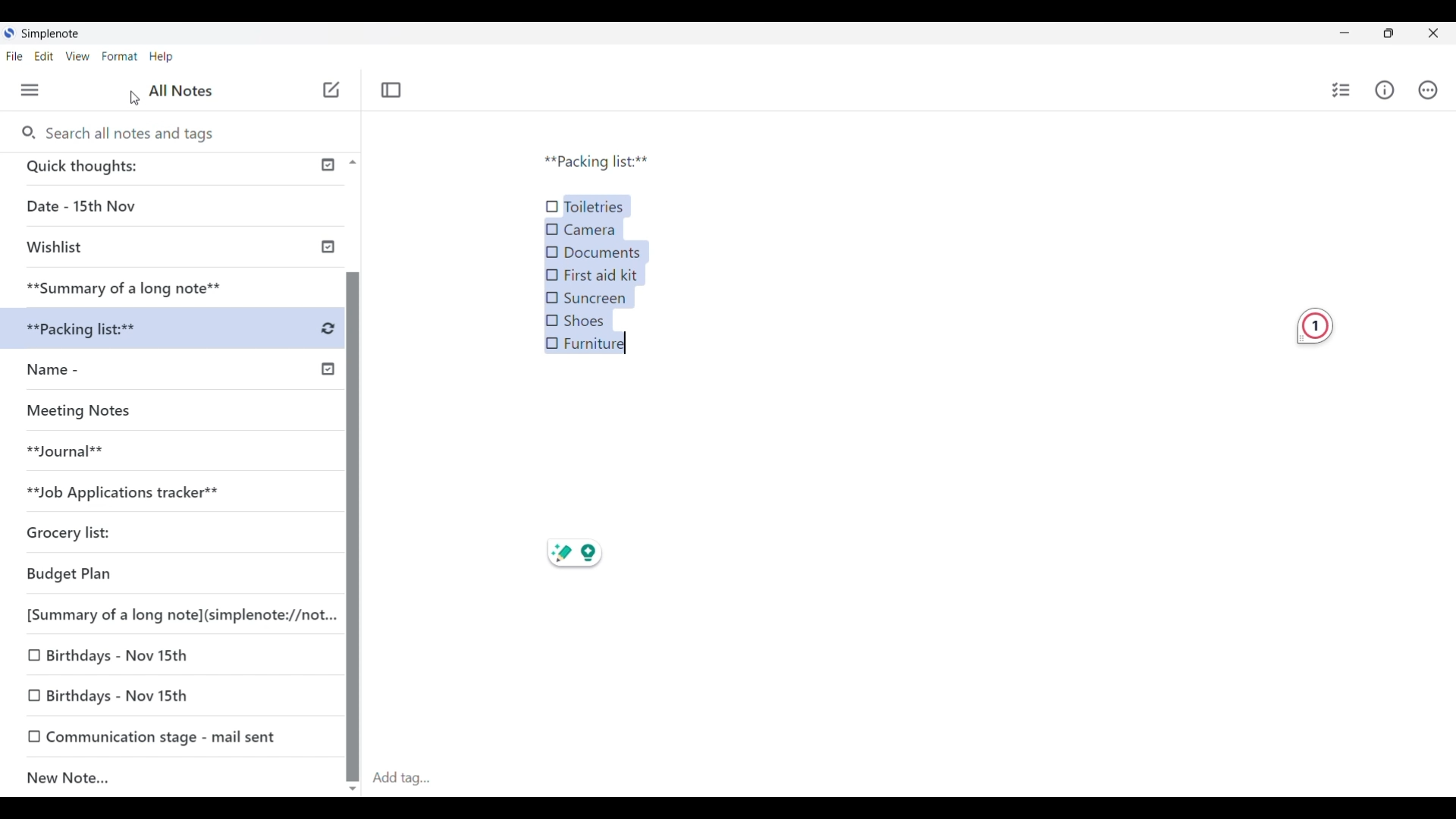 This screenshot has width=1456, height=819. What do you see at coordinates (598, 551) in the screenshot?
I see `idea` at bounding box center [598, 551].